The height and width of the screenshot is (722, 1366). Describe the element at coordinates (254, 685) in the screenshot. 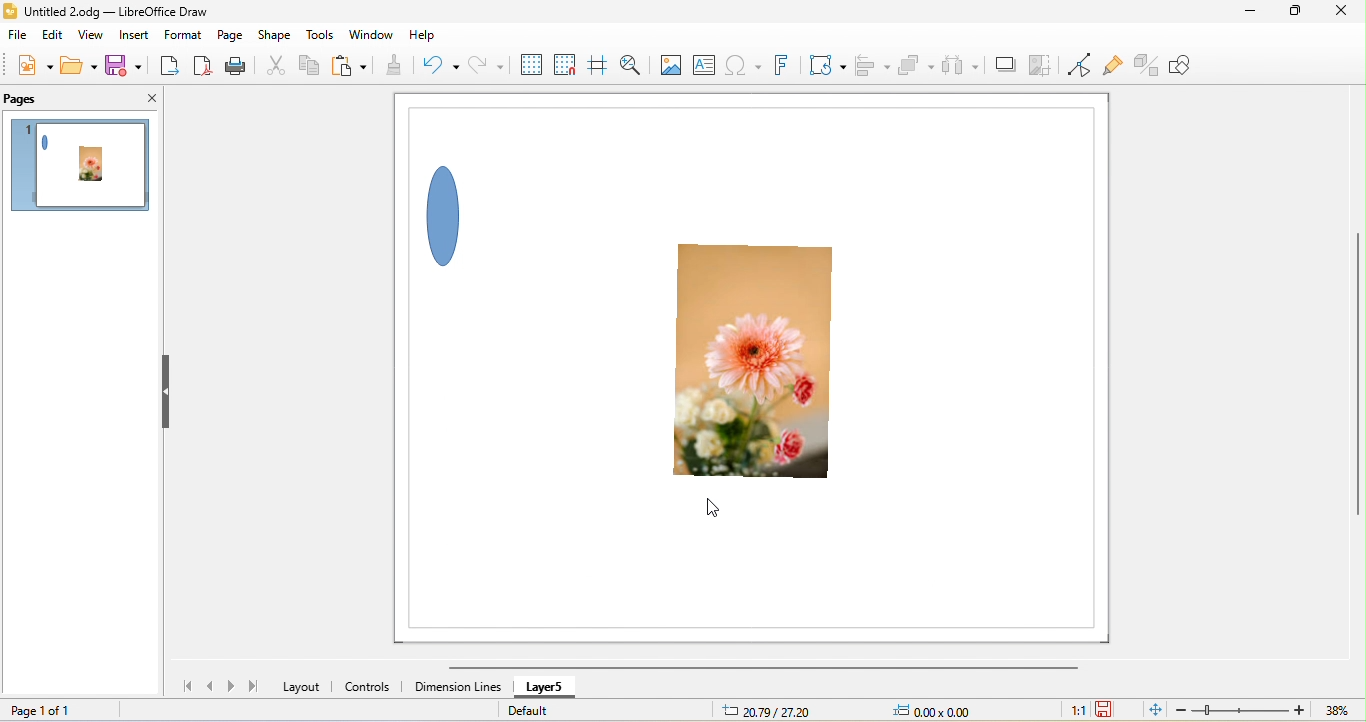

I see `last page` at that location.